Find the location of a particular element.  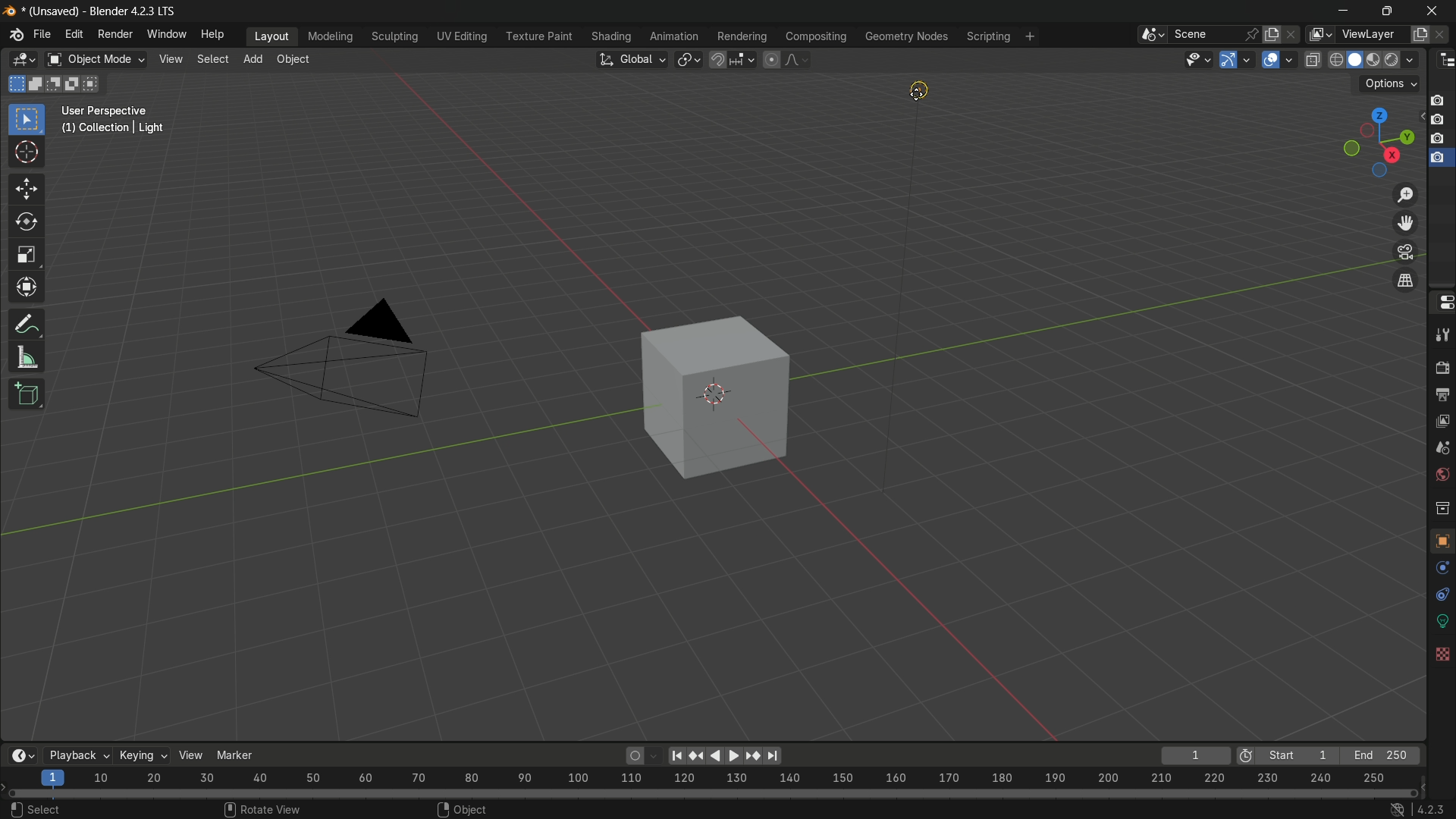

measure is located at coordinates (30, 358).